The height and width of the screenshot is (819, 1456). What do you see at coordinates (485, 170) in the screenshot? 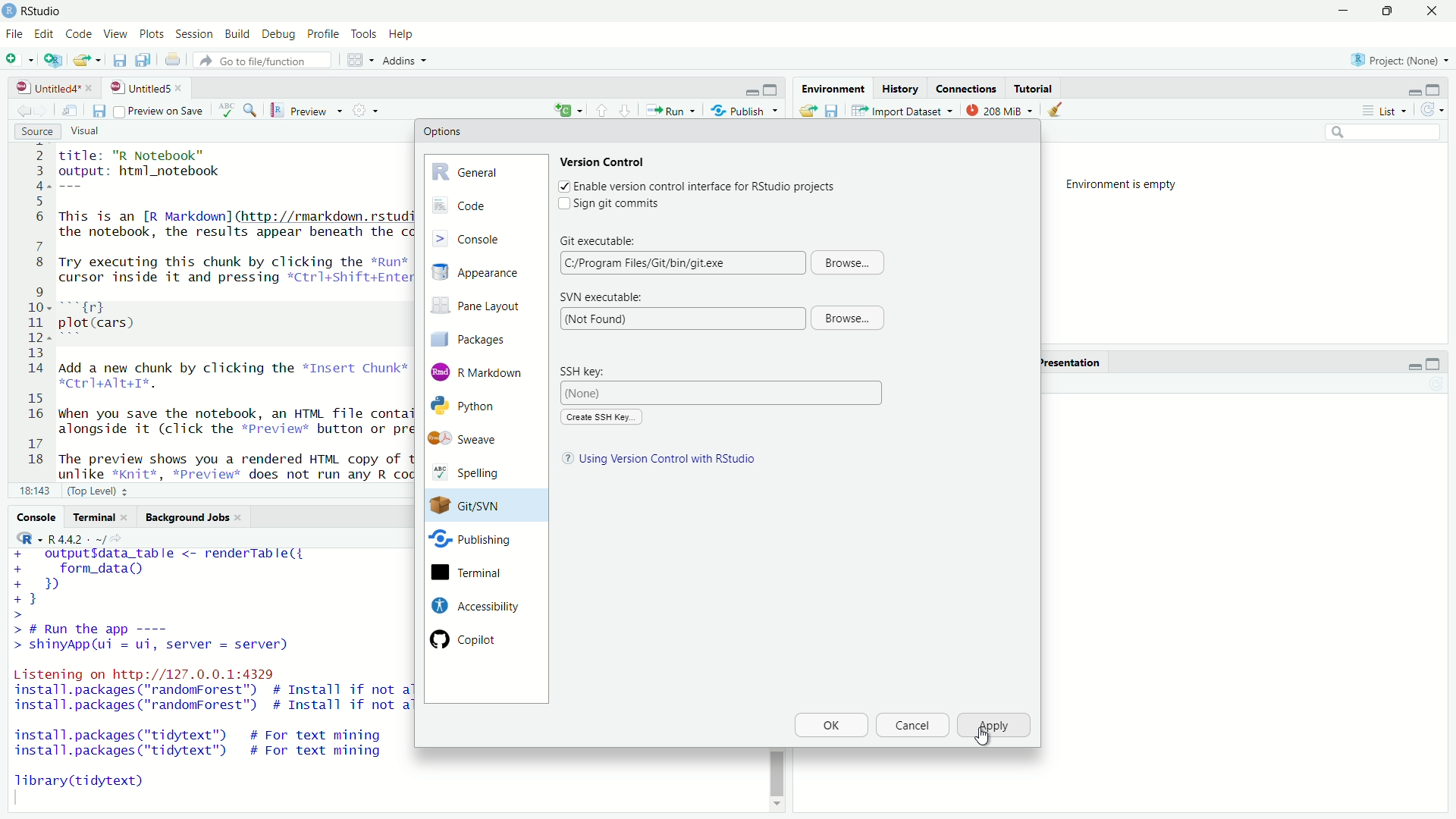
I see `General` at bounding box center [485, 170].